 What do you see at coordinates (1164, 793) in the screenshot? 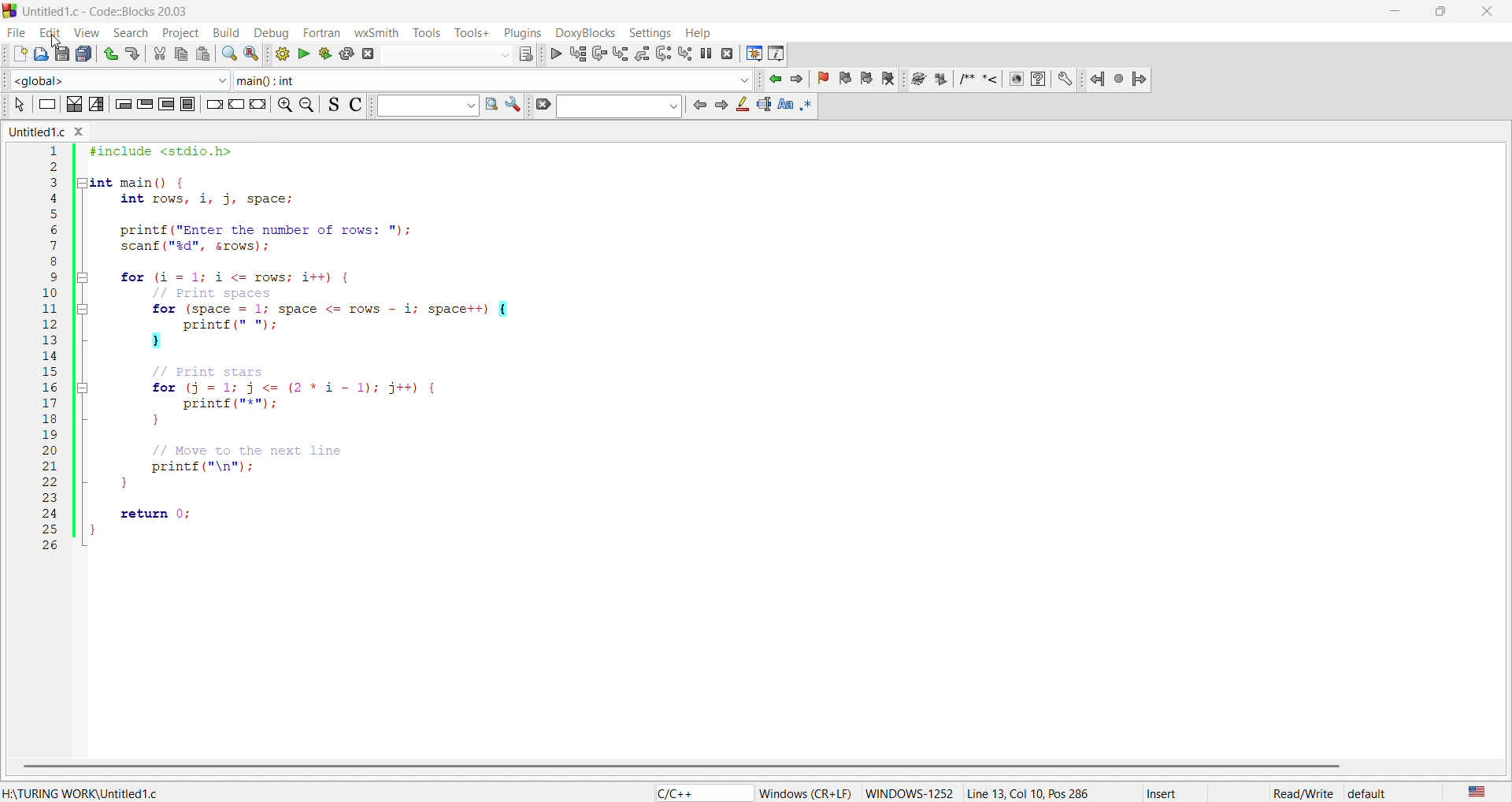
I see `insert` at bounding box center [1164, 793].